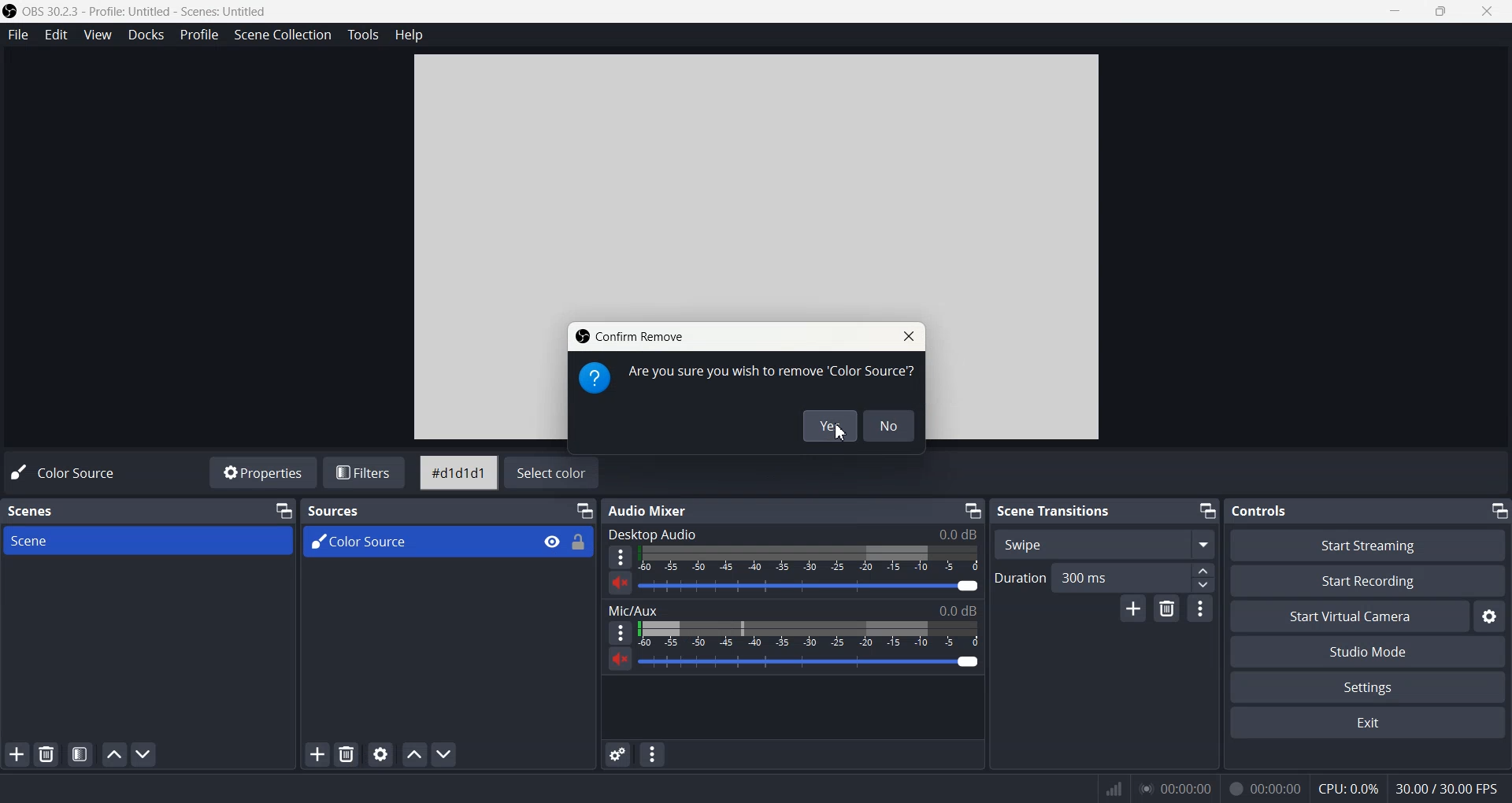 The image size is (1512, 803). Describe the element at coordinates (13, 754) in the screenshot. I see `Add Scene` at that location.